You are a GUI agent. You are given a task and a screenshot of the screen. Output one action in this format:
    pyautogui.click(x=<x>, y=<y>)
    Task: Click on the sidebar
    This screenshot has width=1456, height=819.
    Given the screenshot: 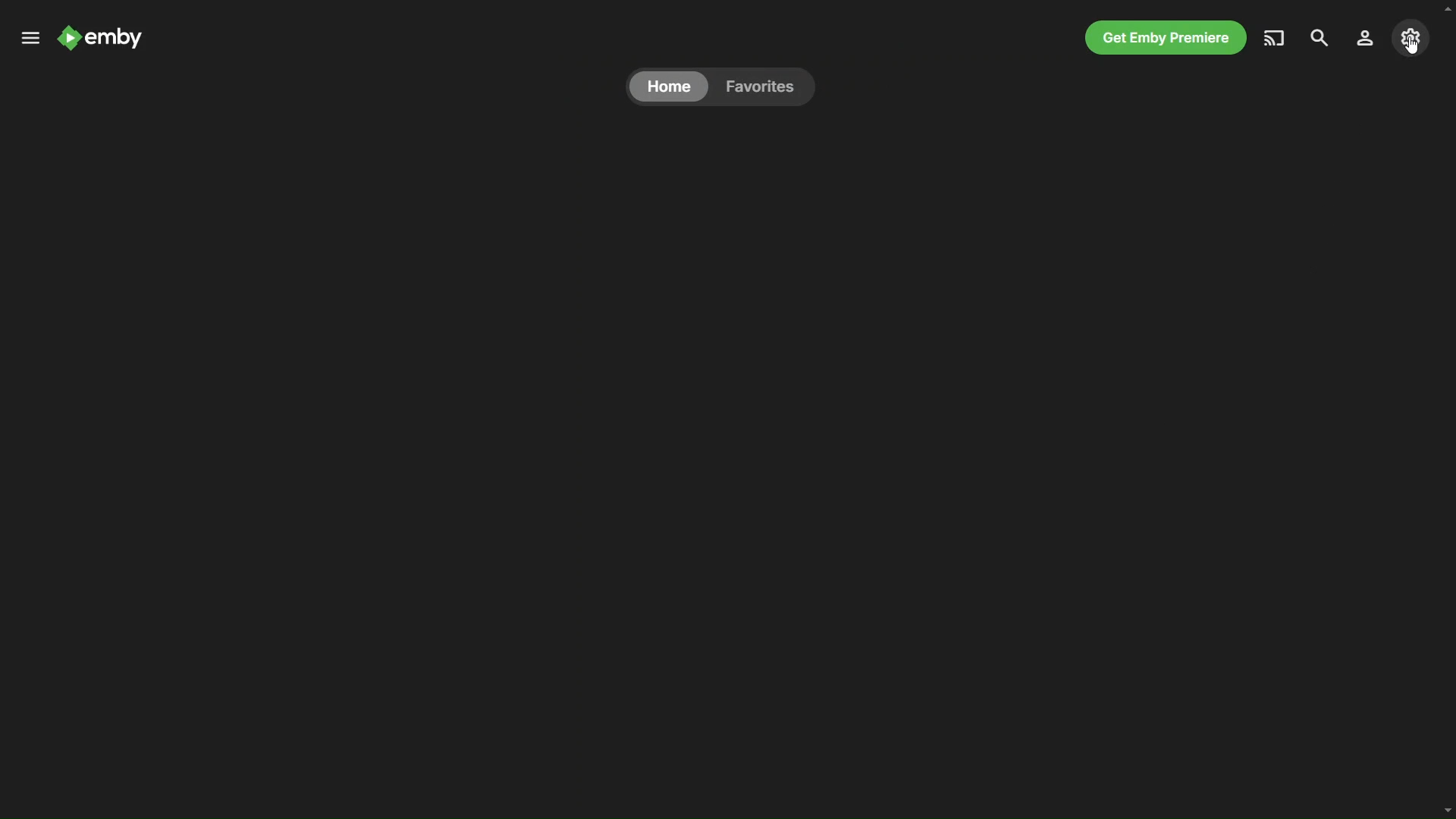 What is the action you would take?
    pyautogui.click(x=29, y=38)
    